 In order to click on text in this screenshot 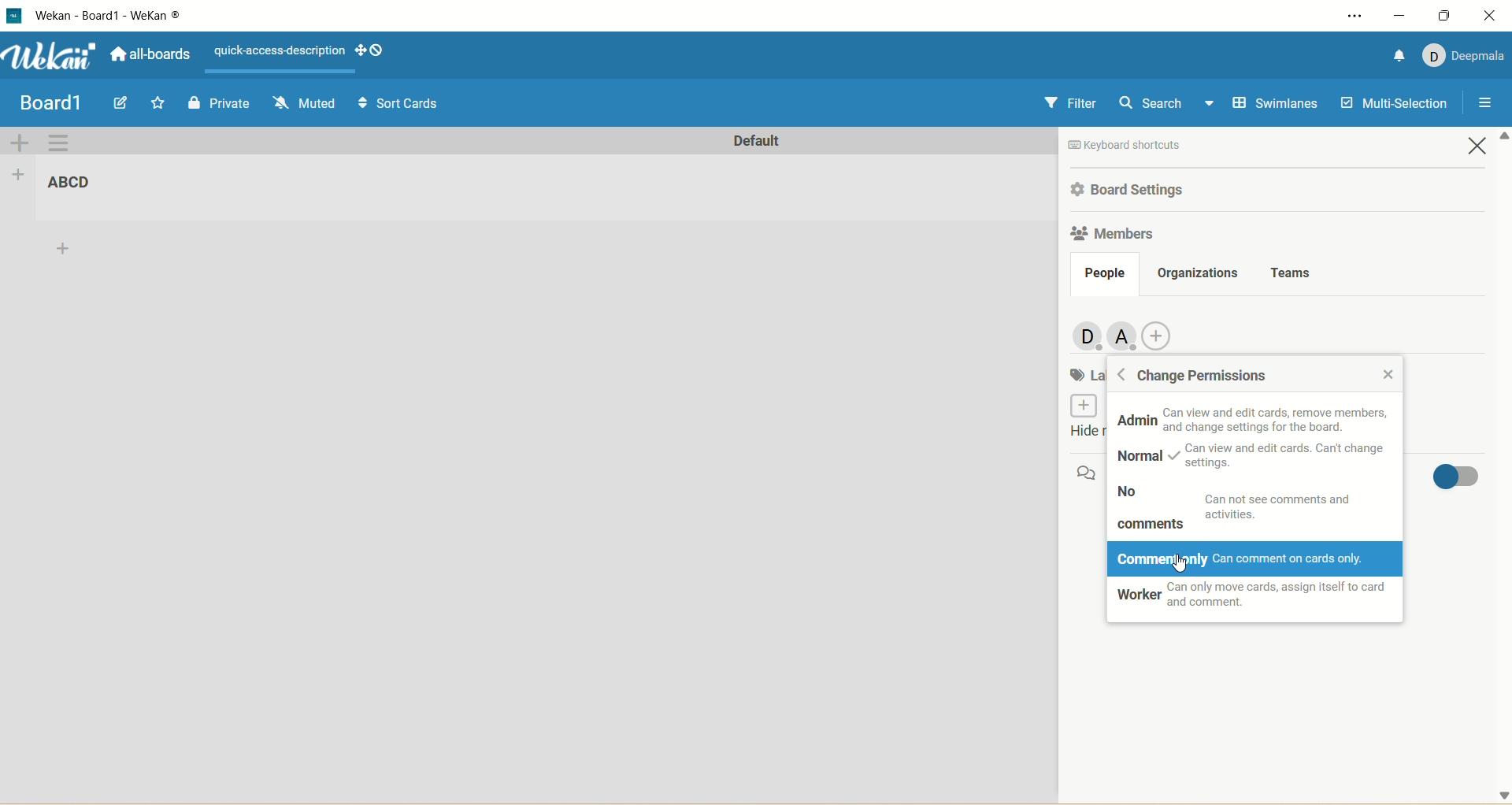, I will do `click(1273, 418)`.